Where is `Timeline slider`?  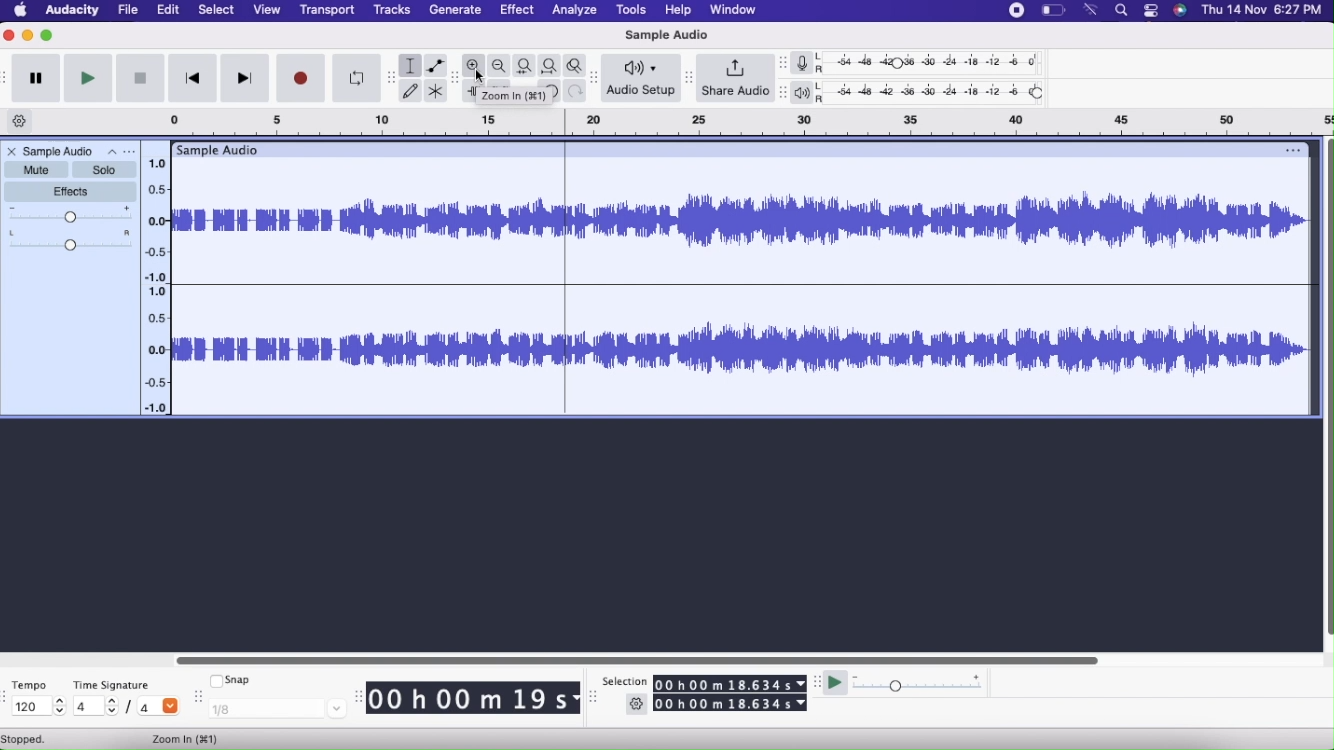
Timeline slider is located at coordinates (157, 281).